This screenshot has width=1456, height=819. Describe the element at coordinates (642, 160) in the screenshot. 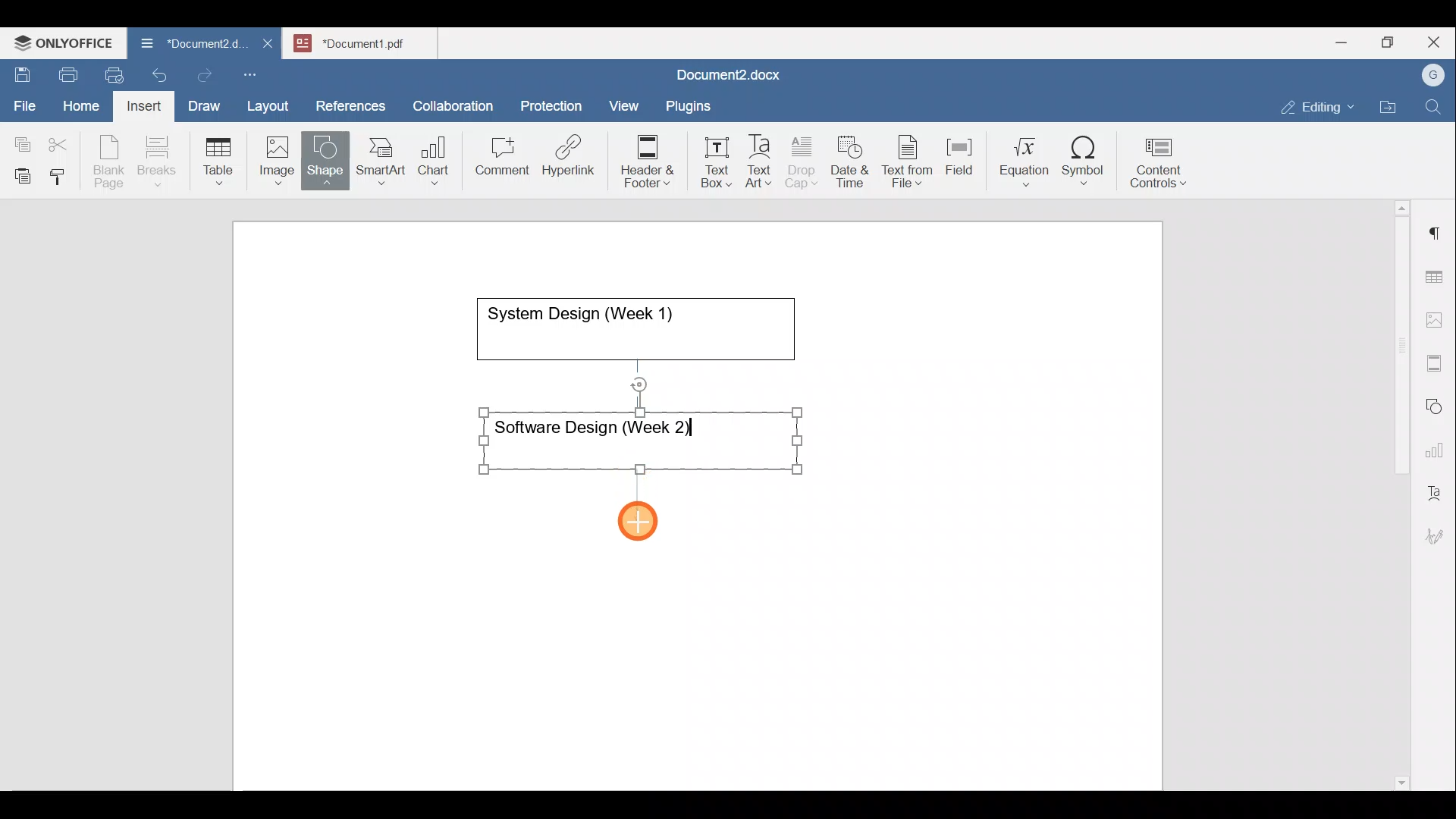

I see `Header & footer` at that location.